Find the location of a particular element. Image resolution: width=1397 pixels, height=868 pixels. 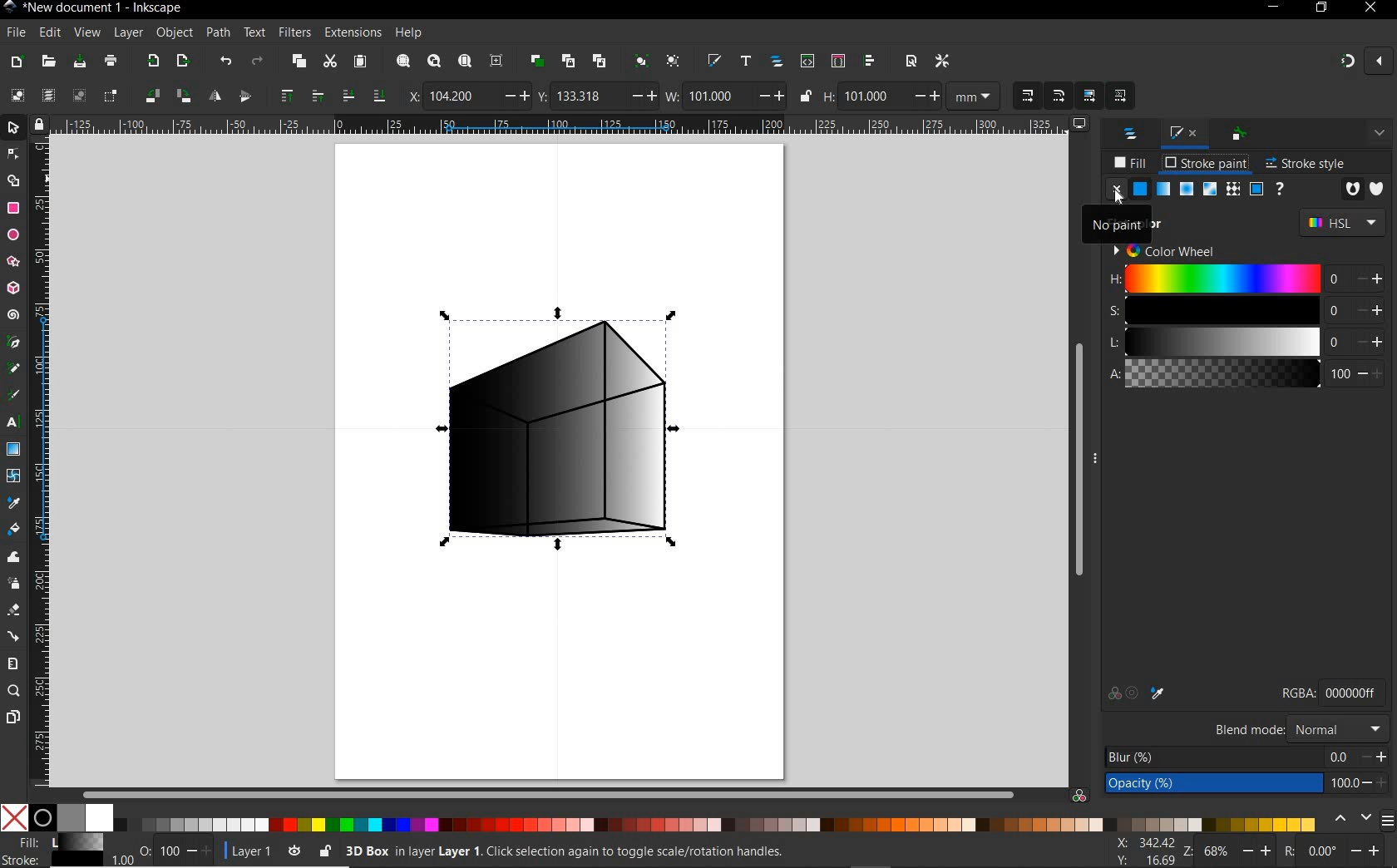

SHAPE BUILDER TOOL is located at coordinates (13, 180).